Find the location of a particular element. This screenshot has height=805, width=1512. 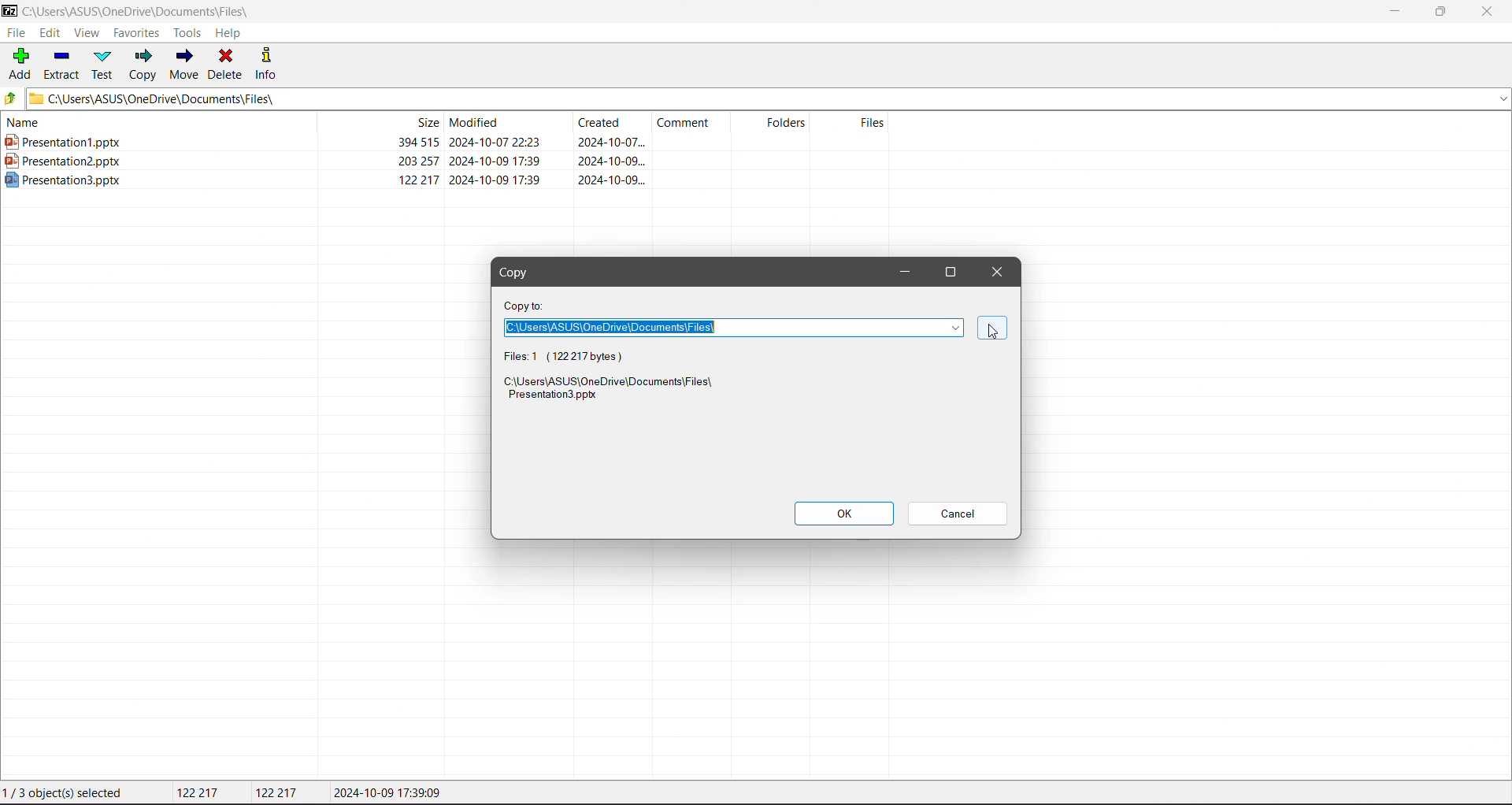

Copy To is located at coordinates (526, 305).